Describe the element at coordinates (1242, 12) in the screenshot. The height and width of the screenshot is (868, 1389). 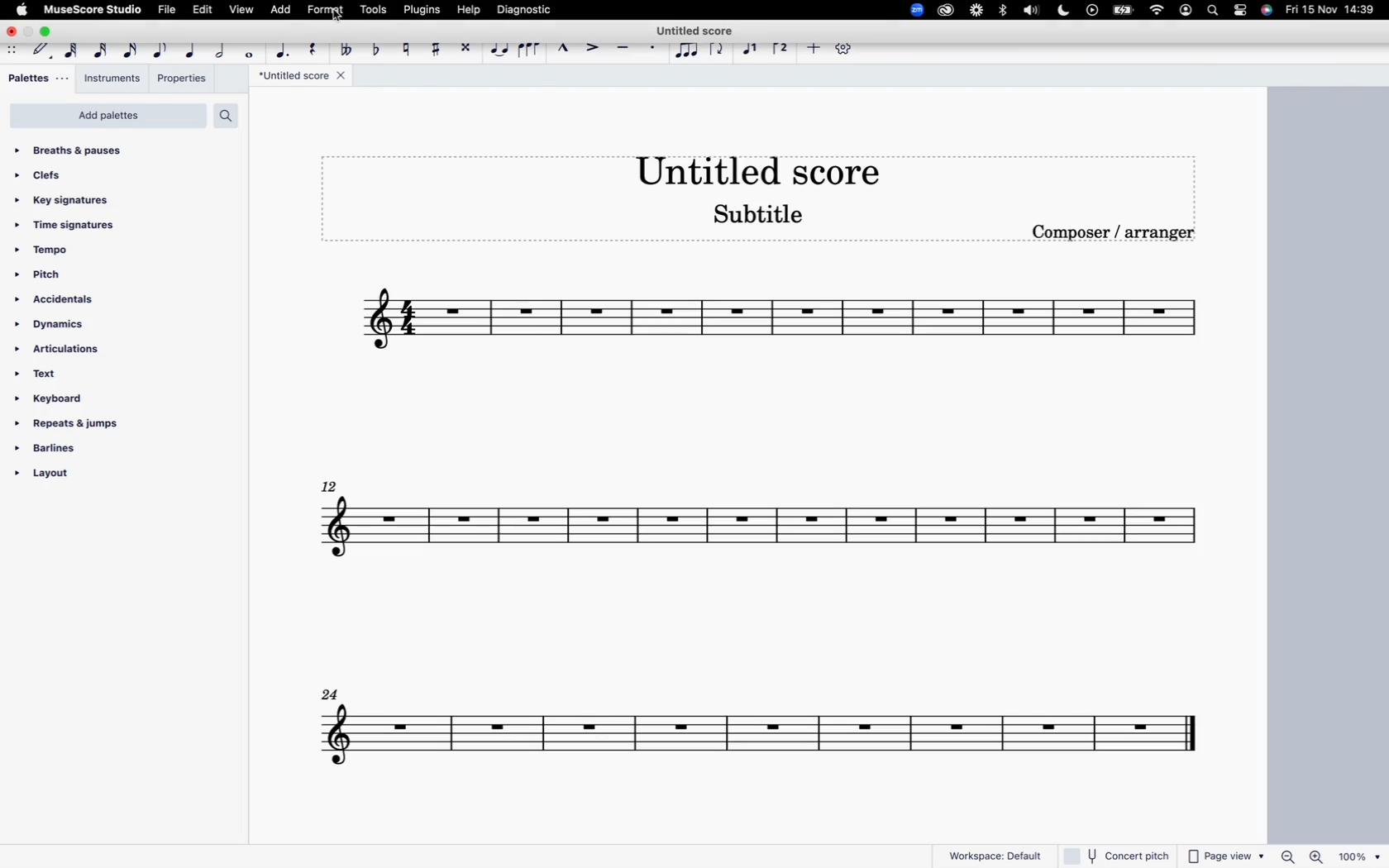
I see `settings` at that location.